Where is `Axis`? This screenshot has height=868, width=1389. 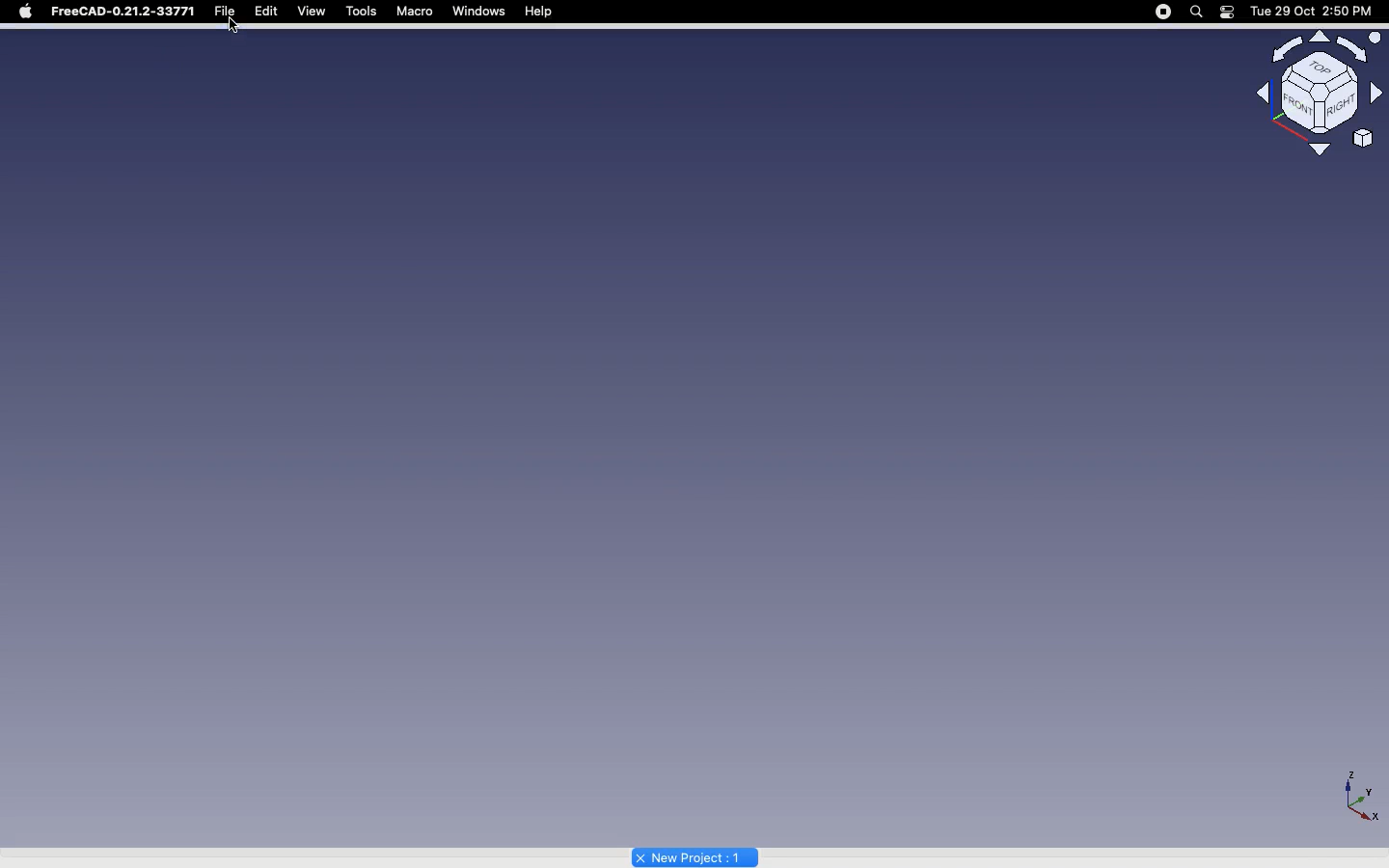
Axis is located at coordinates (1362, 797).